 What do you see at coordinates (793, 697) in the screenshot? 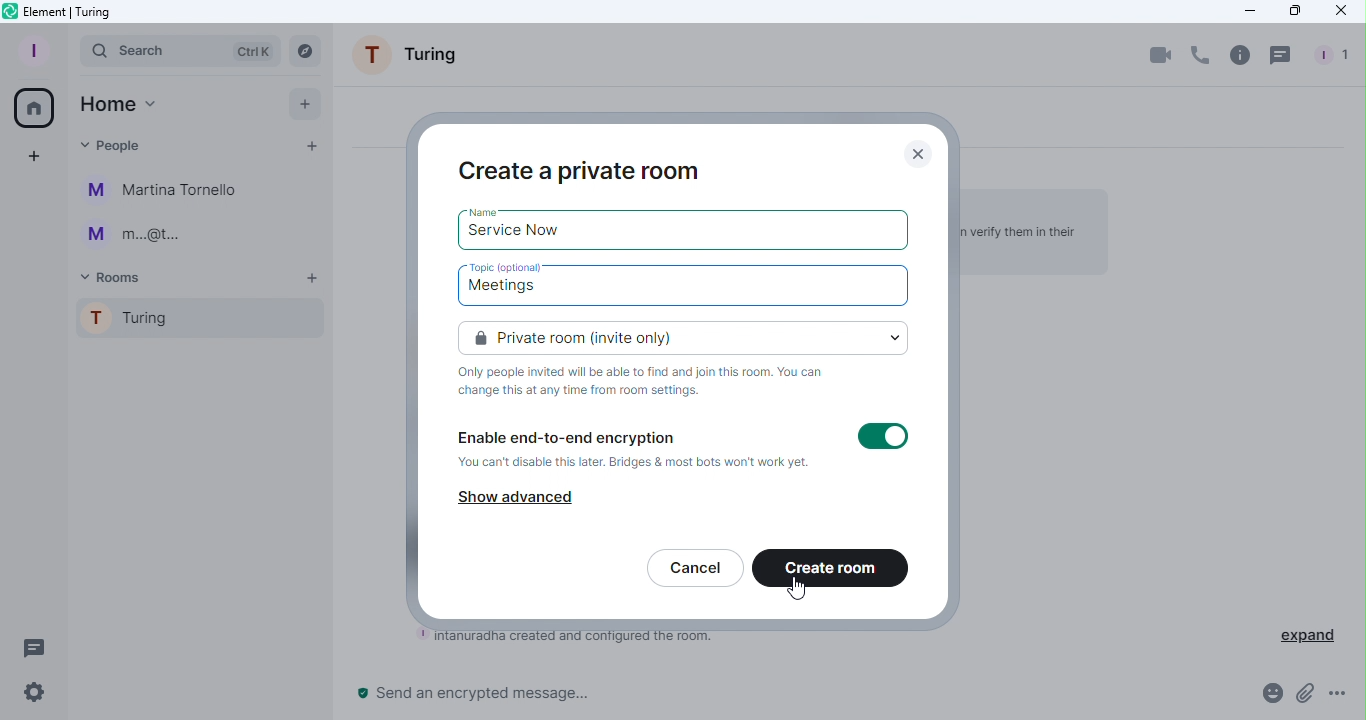
I see `Write message` at bounding box center [793, 697].